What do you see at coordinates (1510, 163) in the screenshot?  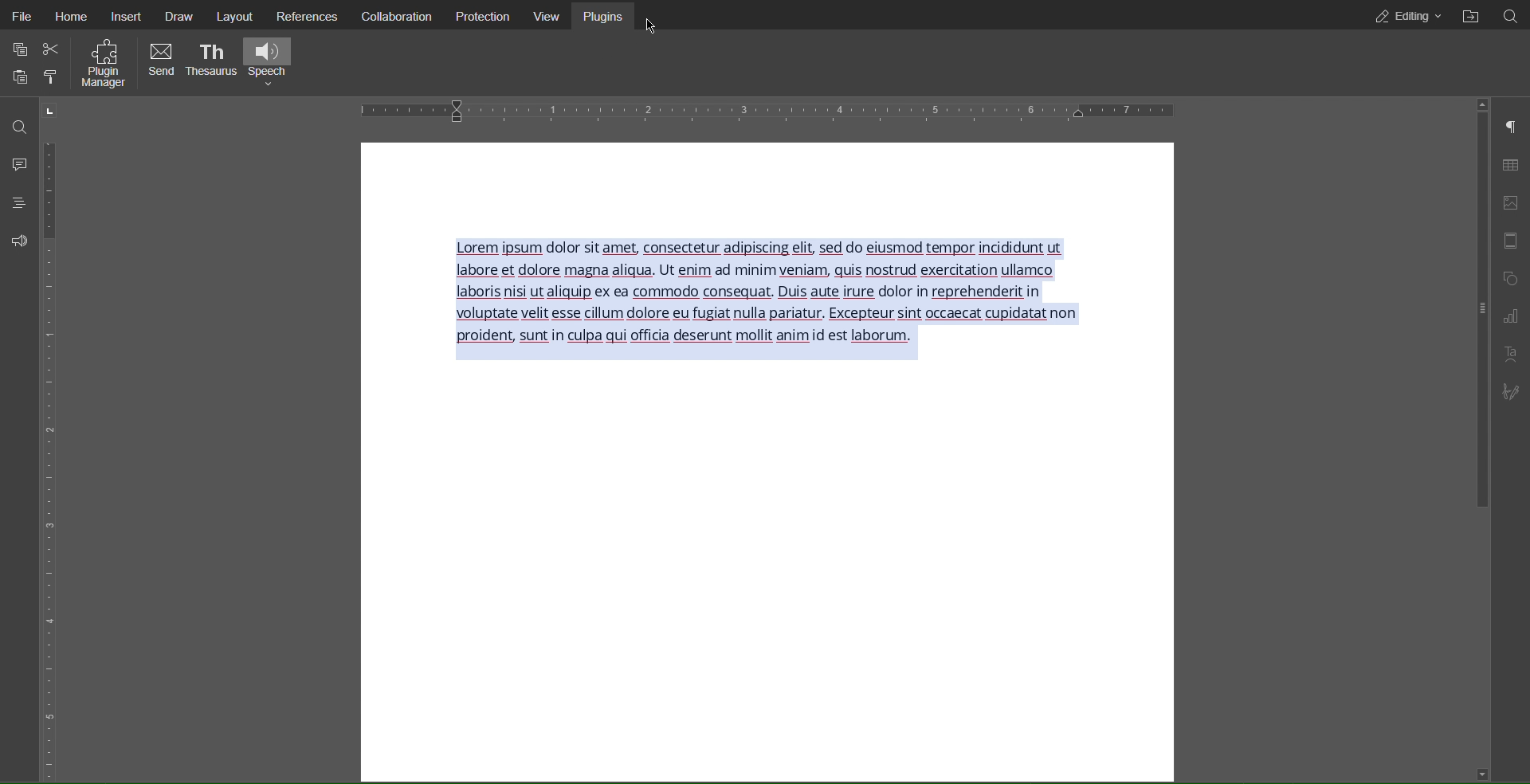 I see `Table Settings` at bounding box center [1510, 163].